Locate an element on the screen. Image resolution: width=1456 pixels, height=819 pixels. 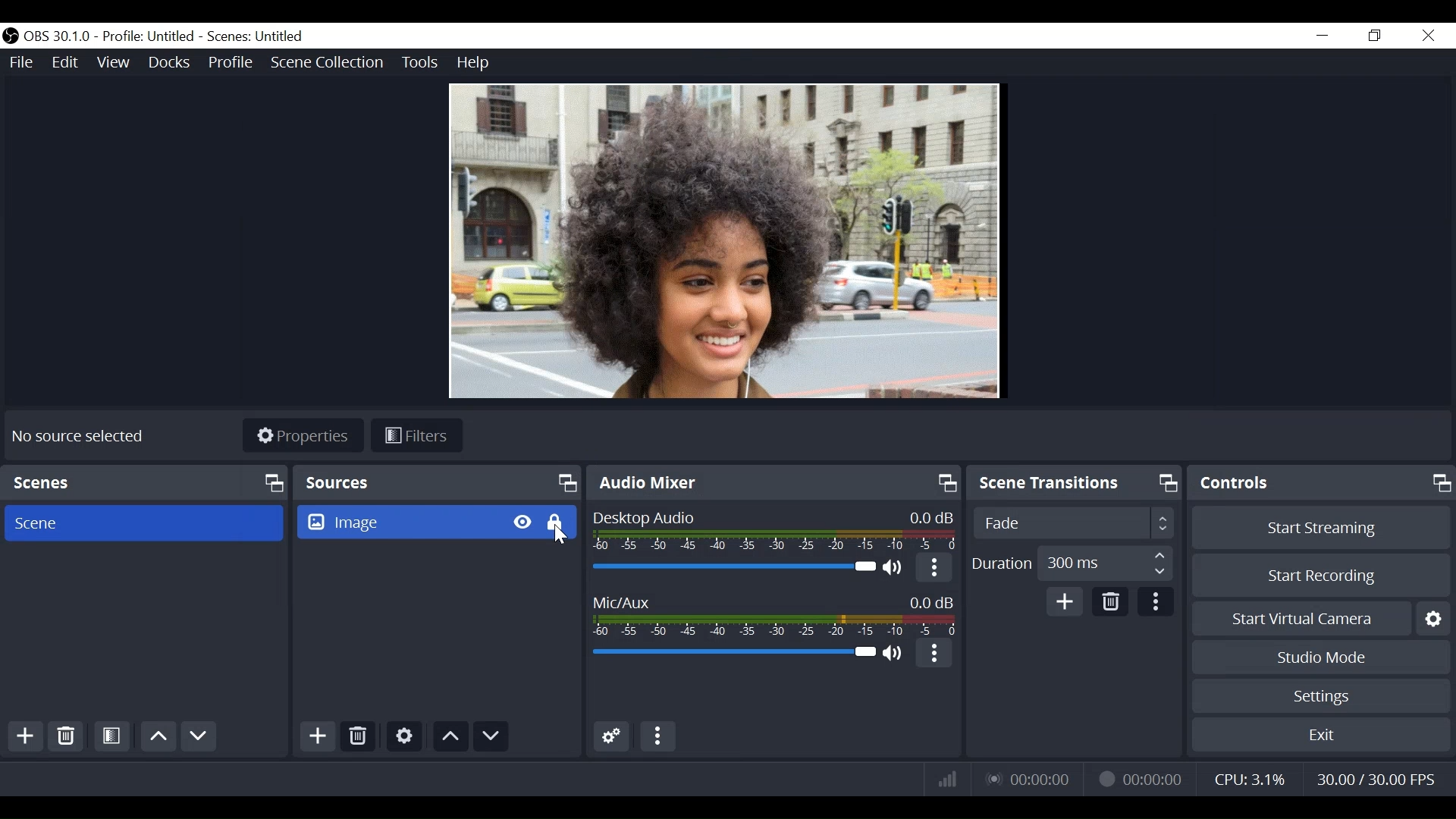
No source Selected is located at coordinates (74, 437).